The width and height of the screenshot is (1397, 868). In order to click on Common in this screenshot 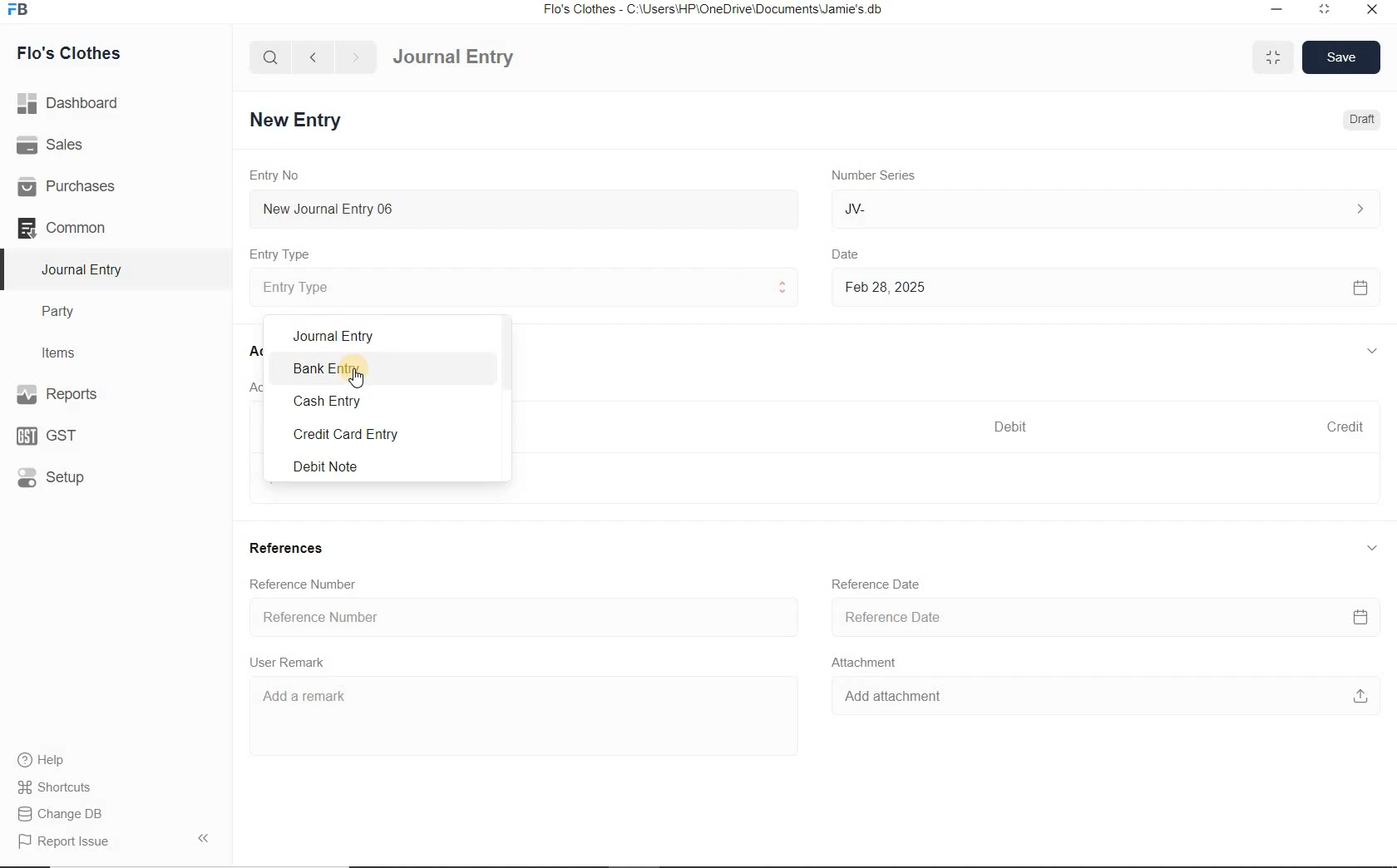, I will do `click(81, 227)`.